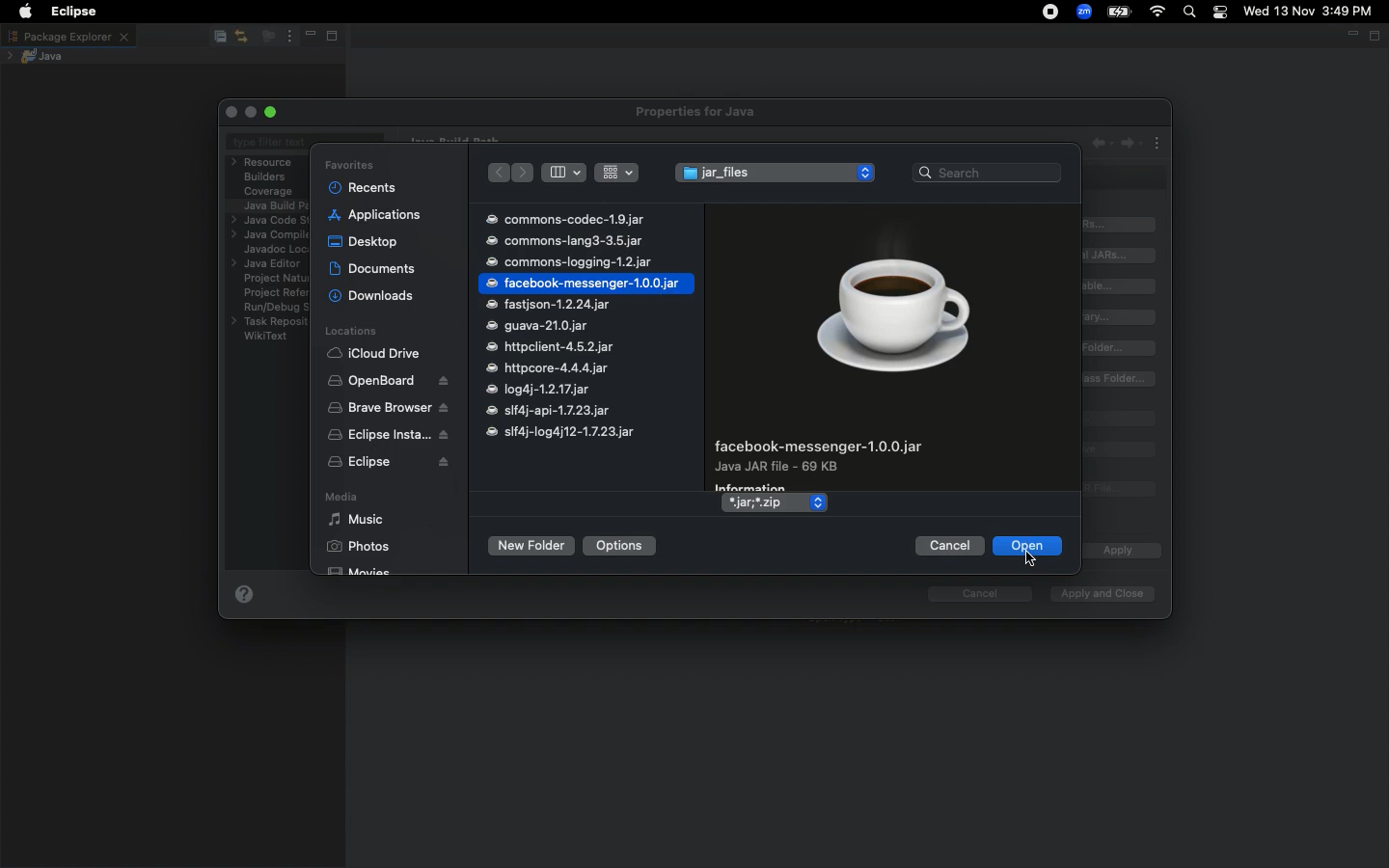 Image resolution: width=1389 pixels, height=868 pixels. What do you see at coordinates (1120, 379) in the screenshot?
I see `Add external class folder` at bounding box center [1120, 379].